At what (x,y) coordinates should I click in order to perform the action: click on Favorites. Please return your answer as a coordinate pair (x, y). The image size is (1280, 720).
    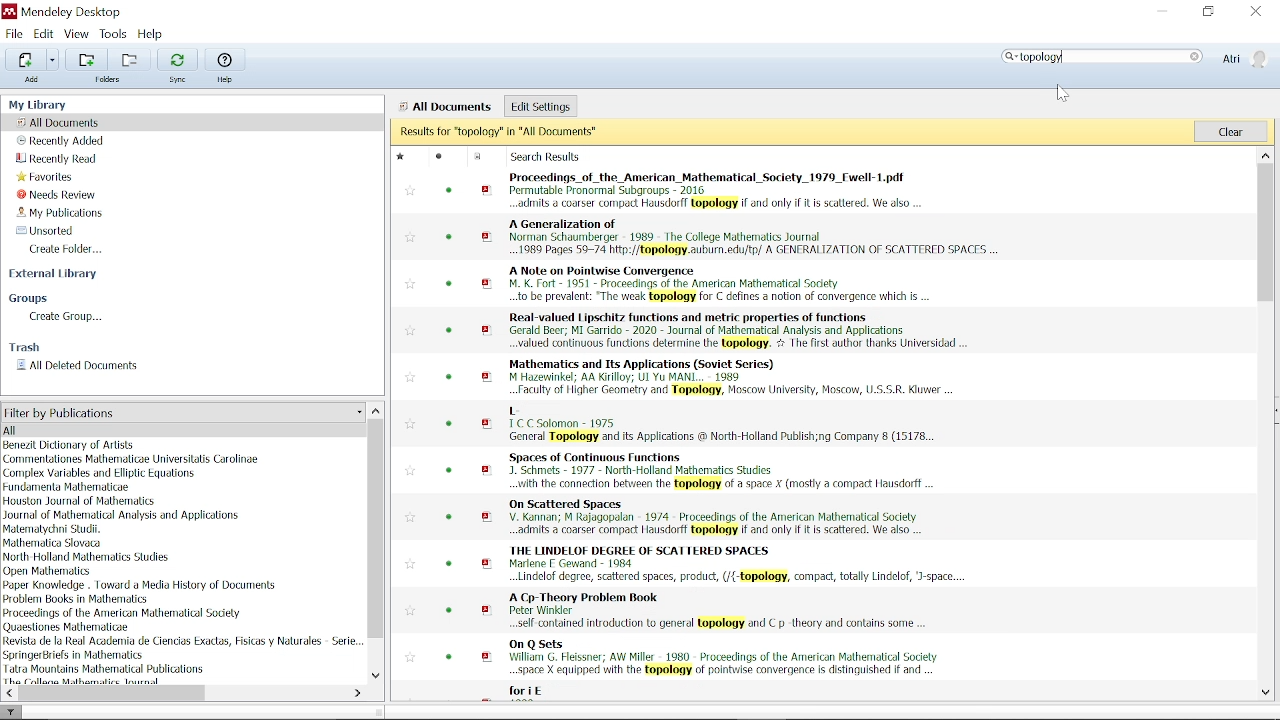
    Looking at the image, I should click on (47, 176).